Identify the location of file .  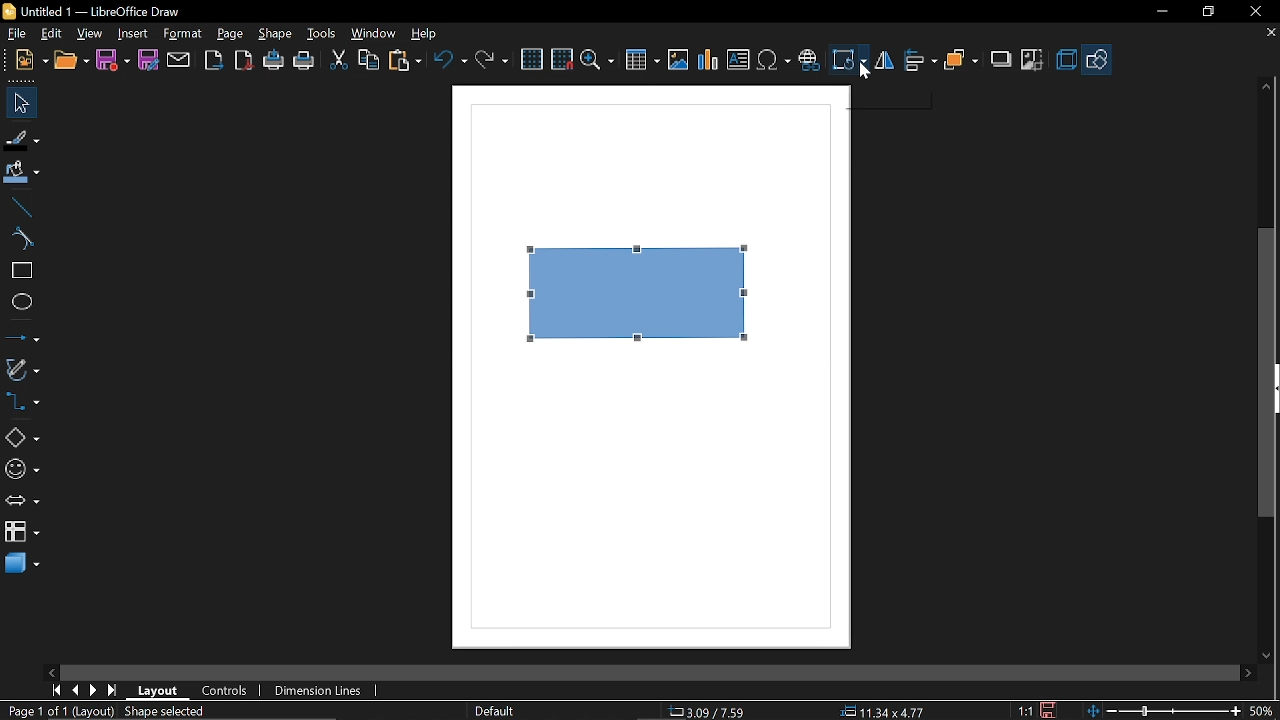
(15, 34).